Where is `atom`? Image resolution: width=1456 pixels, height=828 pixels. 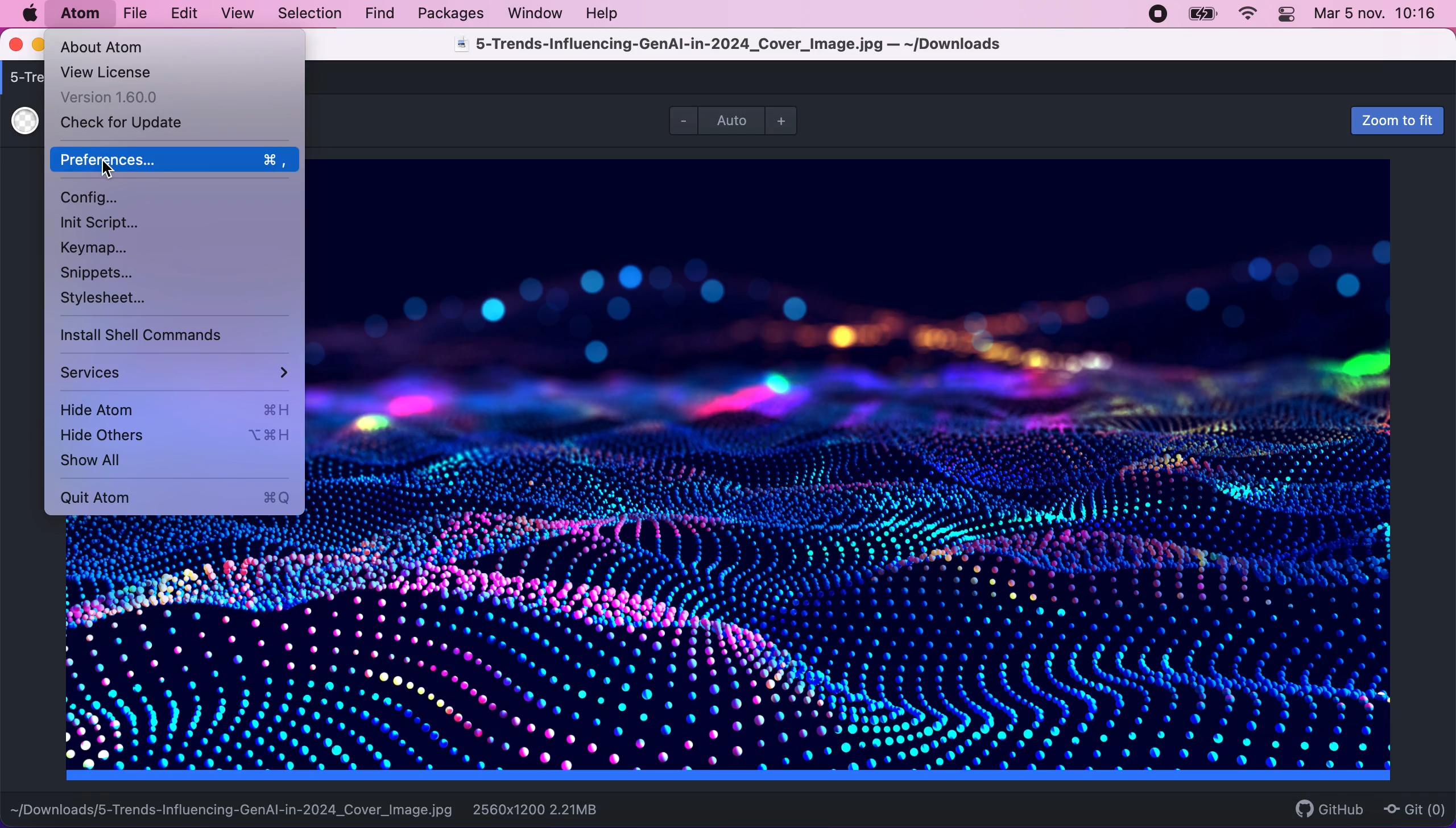 atom is located at coordinates (79, 13).